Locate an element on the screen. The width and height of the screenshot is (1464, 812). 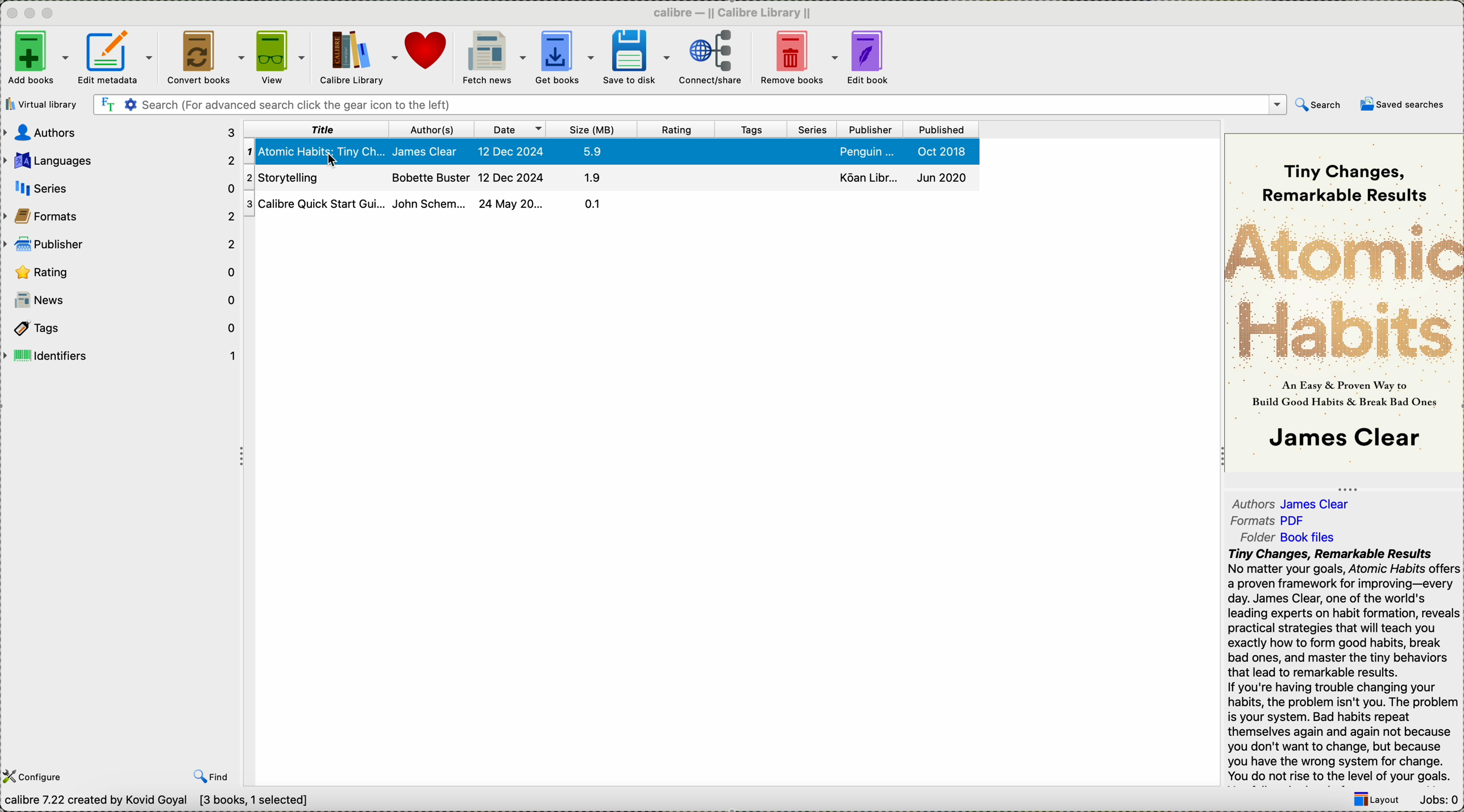
convert books is located at coordinates (203, 59).